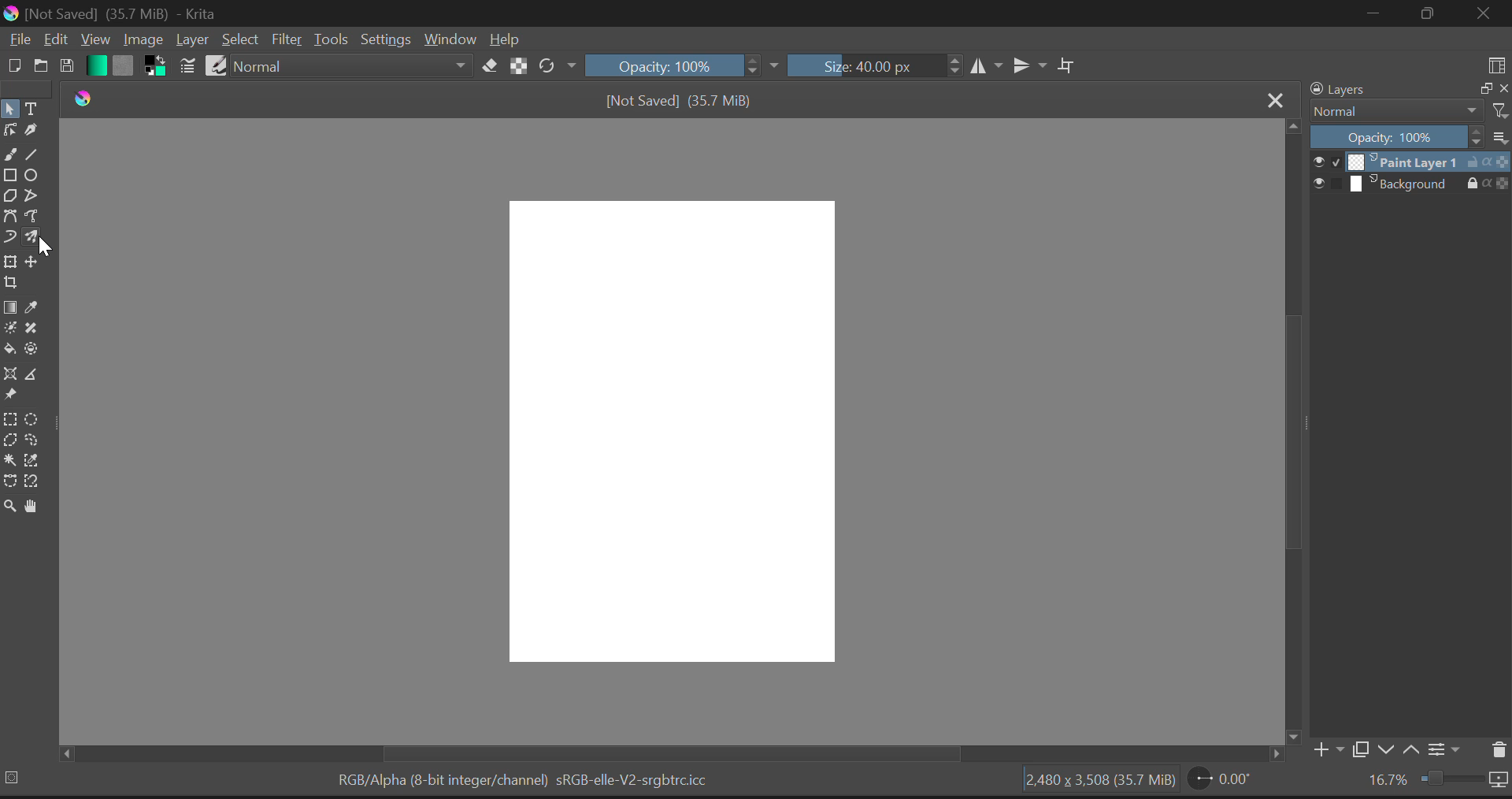 This screenshot has height=799, width=1512. Describe the element at coordinates (1447, 753) in the screenshot. I see `Settings` at that location.